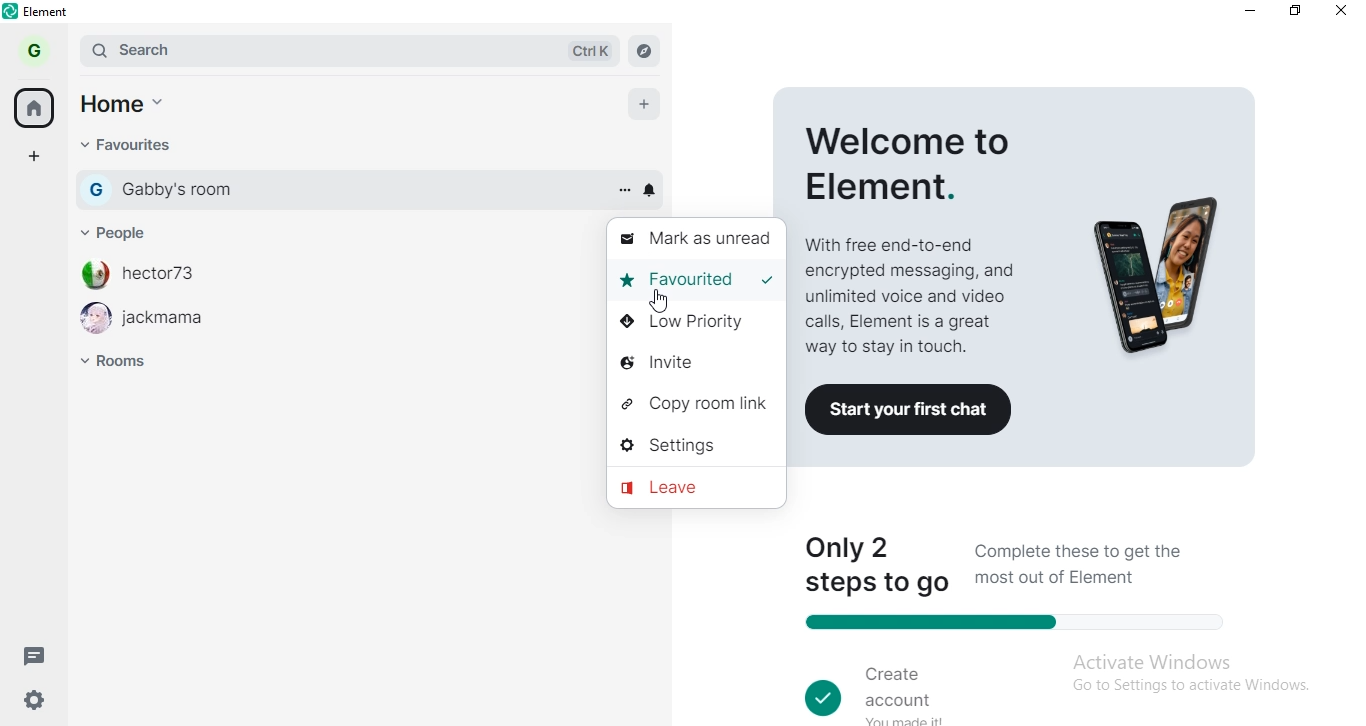 The image size is (1366, 726). I want to click on progress, so click(1011, 624).